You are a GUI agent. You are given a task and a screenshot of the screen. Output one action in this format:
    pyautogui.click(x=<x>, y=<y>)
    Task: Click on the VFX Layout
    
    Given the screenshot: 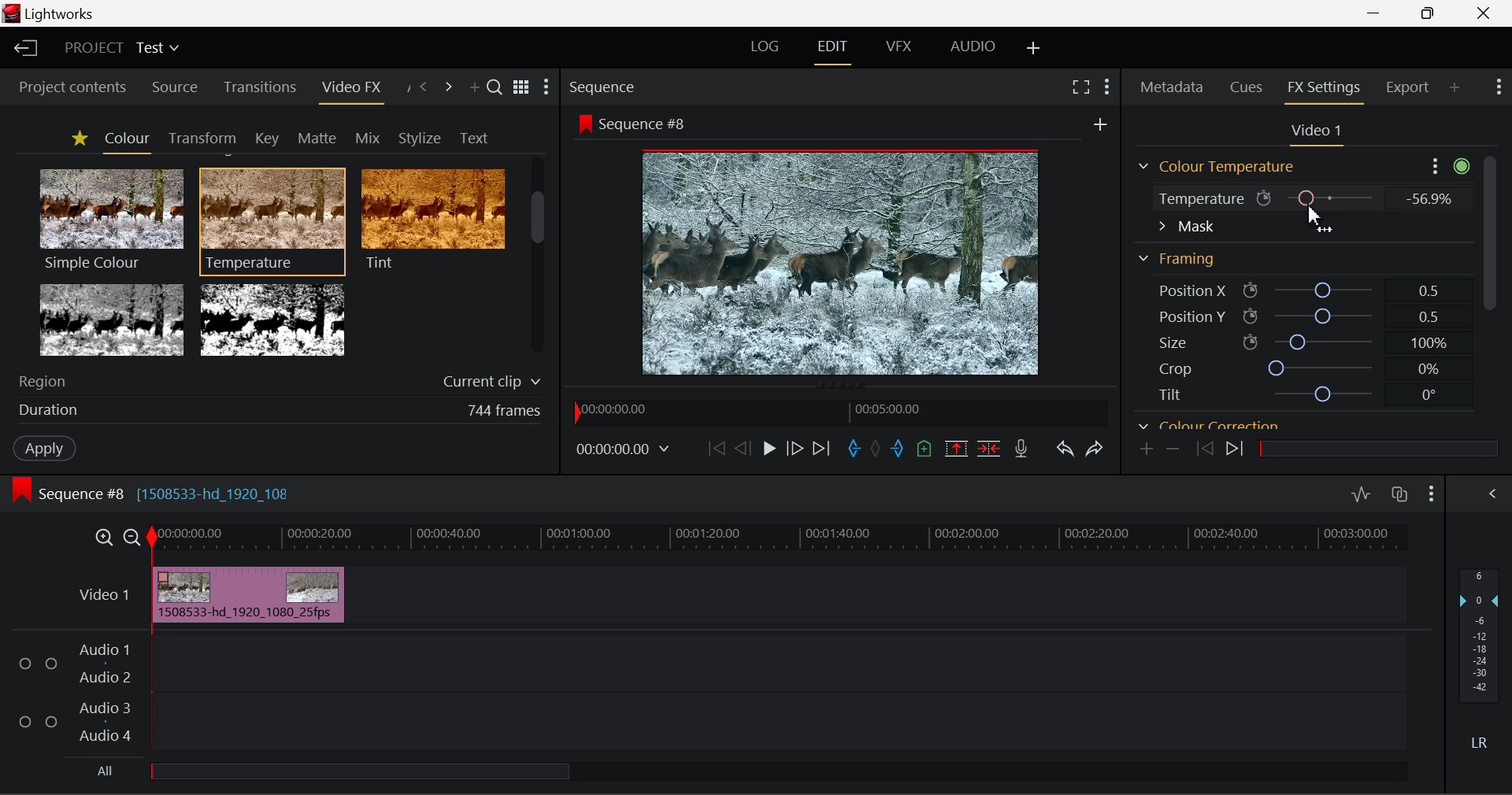 What is the action you would take?
    pyautogui.click(x=897, y=48)
    